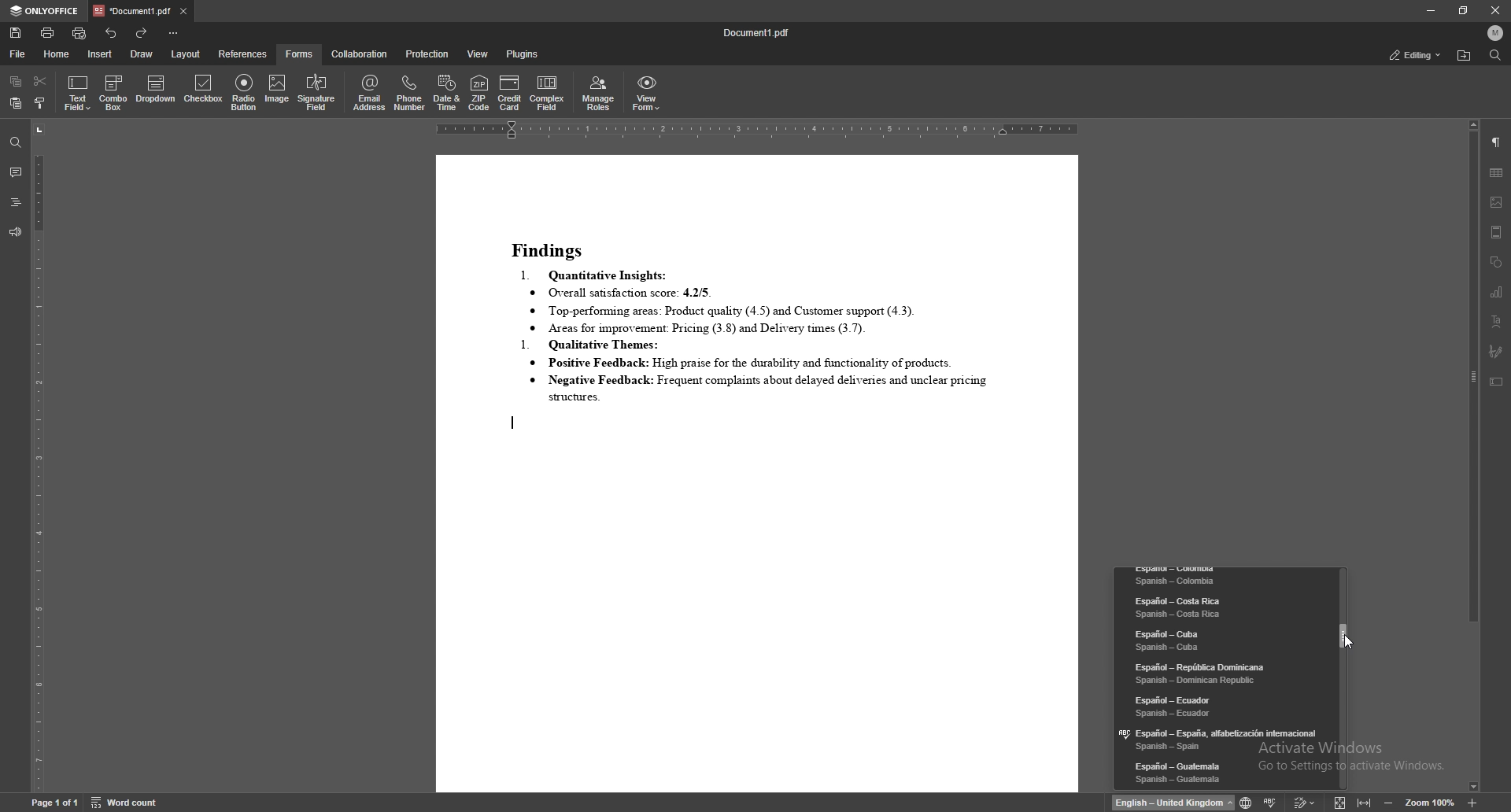 Image resolution: width=1511 pixels, height=812 pixels. I want to click on find, so click(14, 142).